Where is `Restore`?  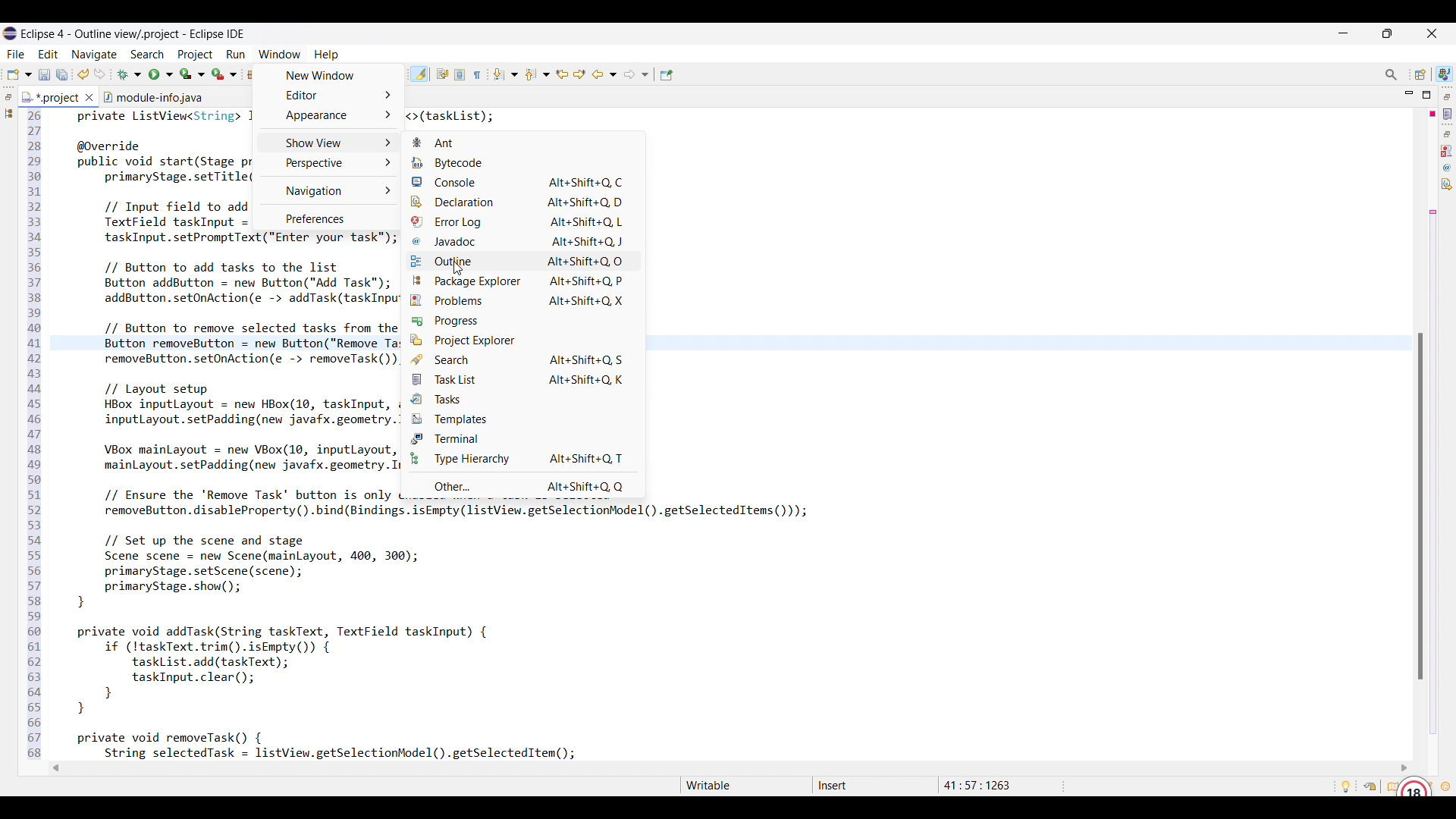 Restore is located at coordinates (1448, 134).